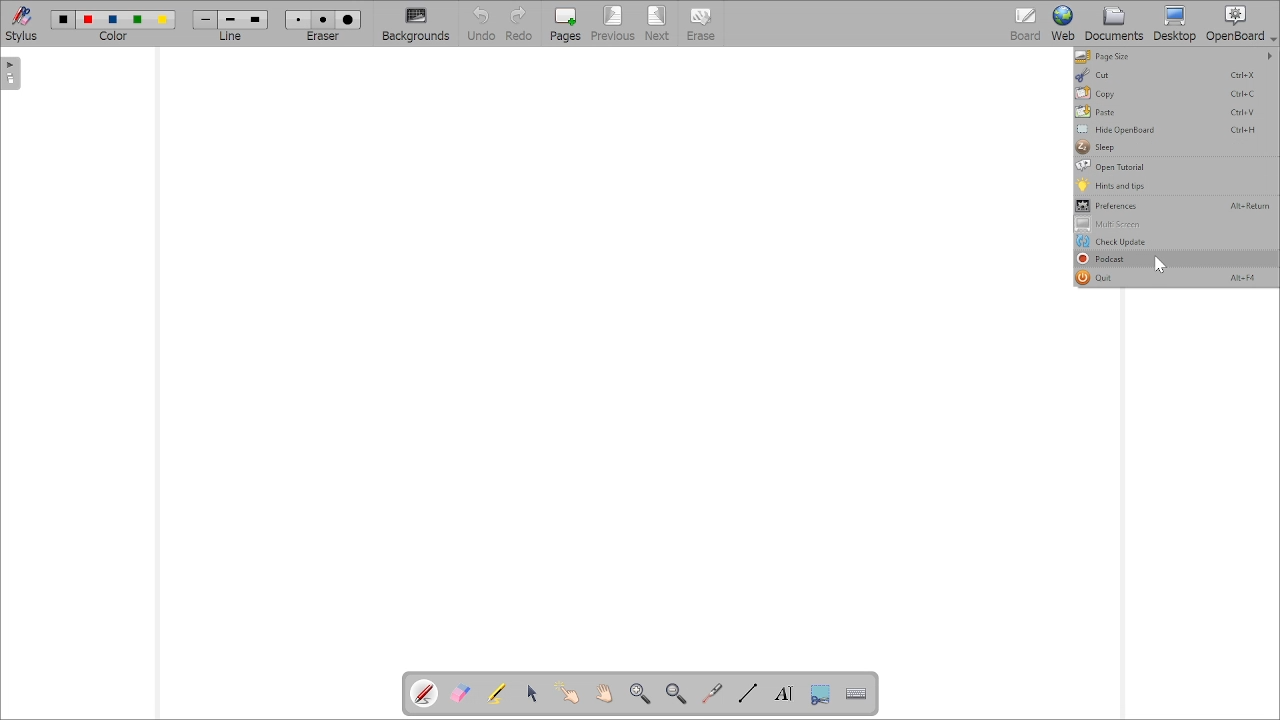  What do you see at coordinates (497, 694) in the screenshot?
I see `Highlight` at bounding box center [497, 694].